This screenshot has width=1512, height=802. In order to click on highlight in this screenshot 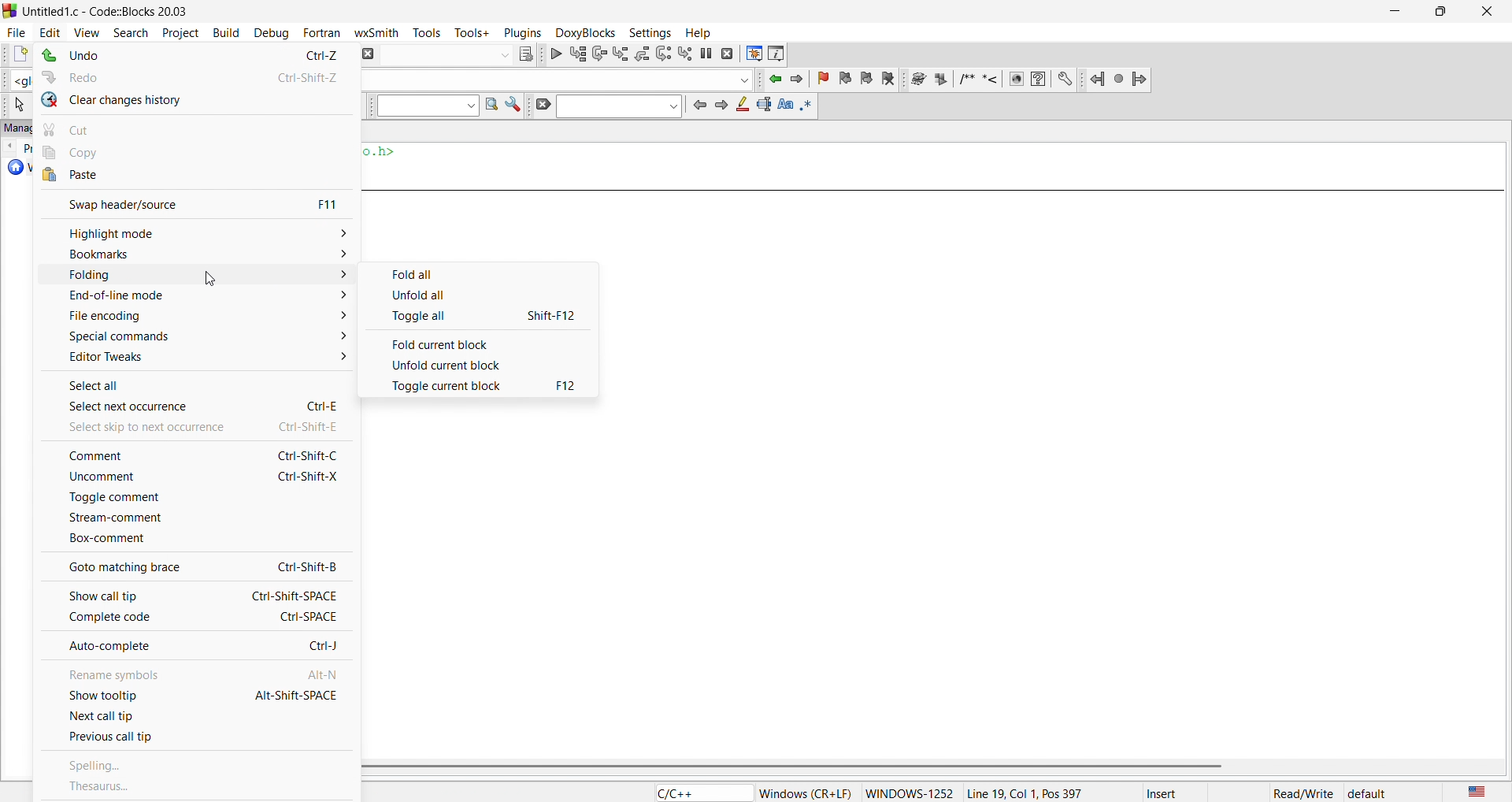, I will do `click(740, 106)`.